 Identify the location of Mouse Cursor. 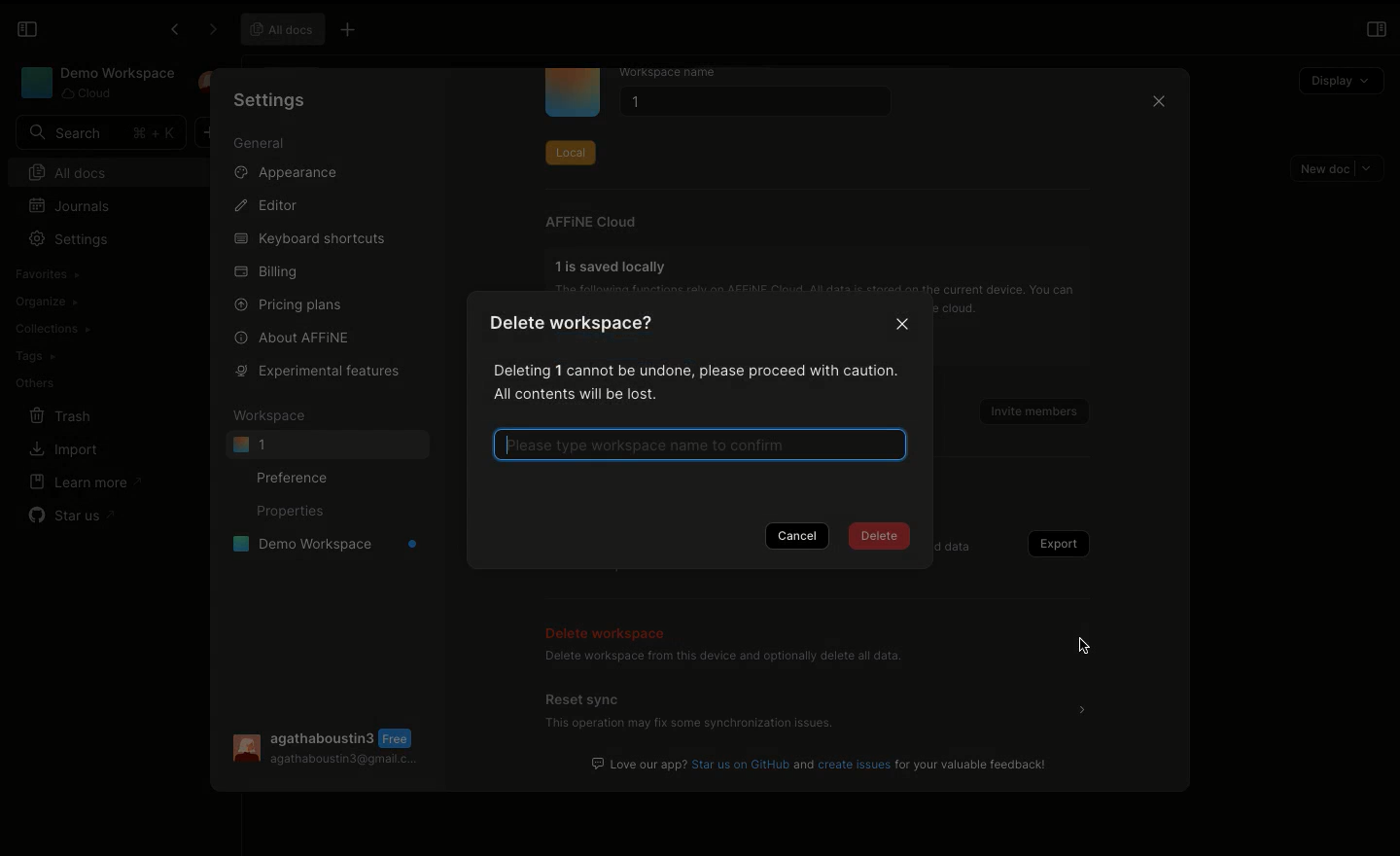
(1085, 648).